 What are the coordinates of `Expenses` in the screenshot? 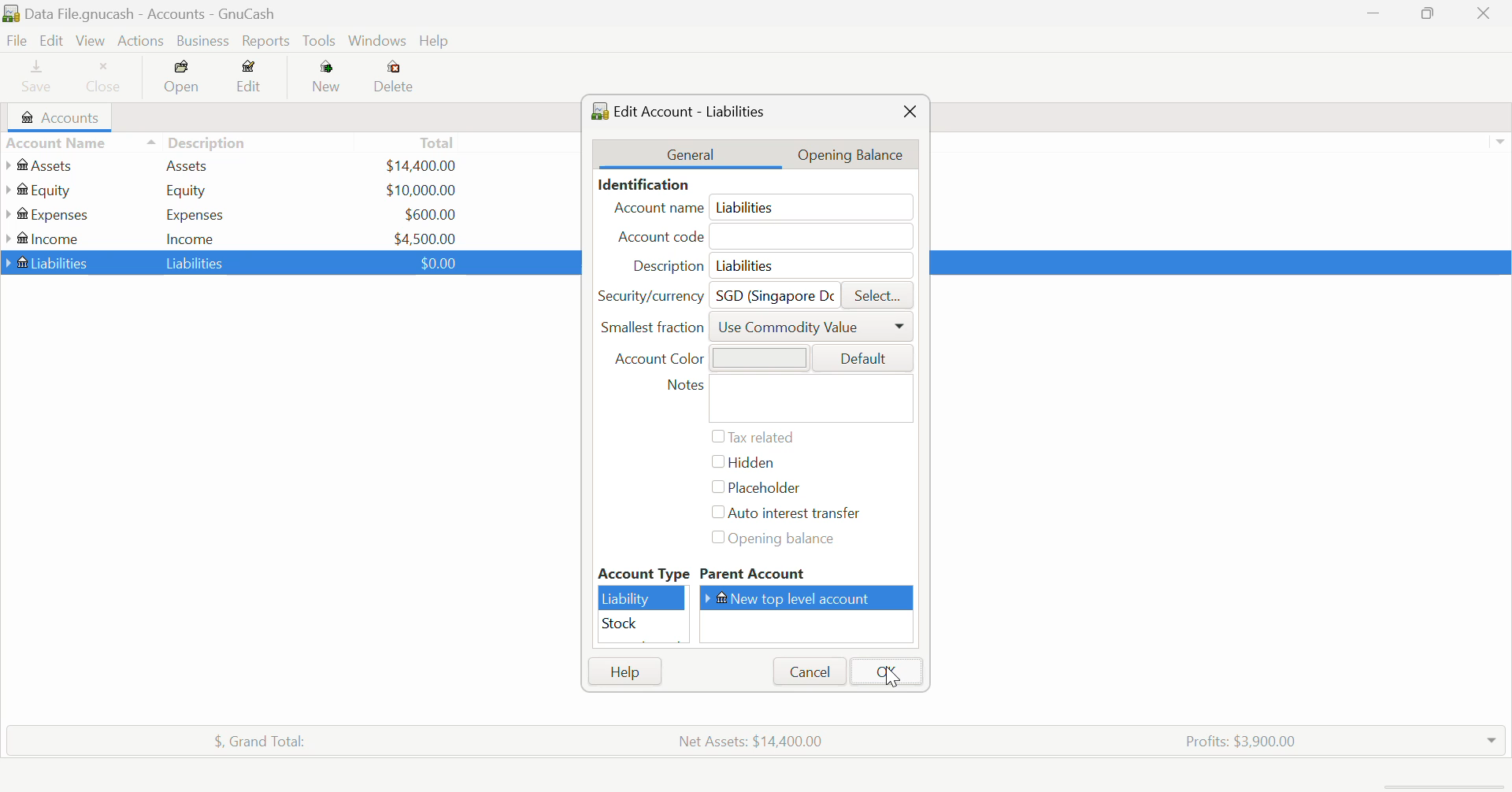 It's located at (195, 214).